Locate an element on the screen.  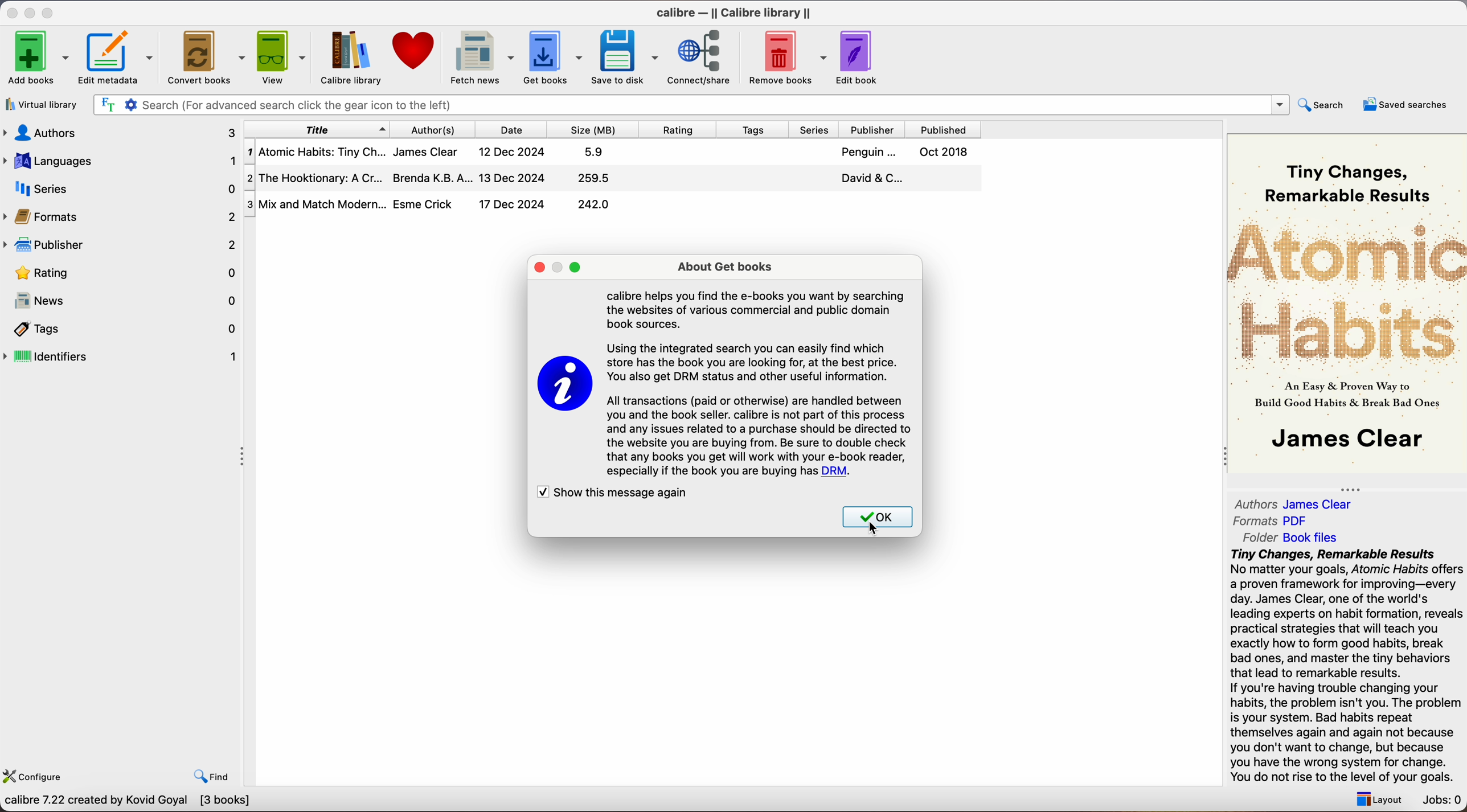
Brenda K.B.A... is located at coordinates (433, 178).